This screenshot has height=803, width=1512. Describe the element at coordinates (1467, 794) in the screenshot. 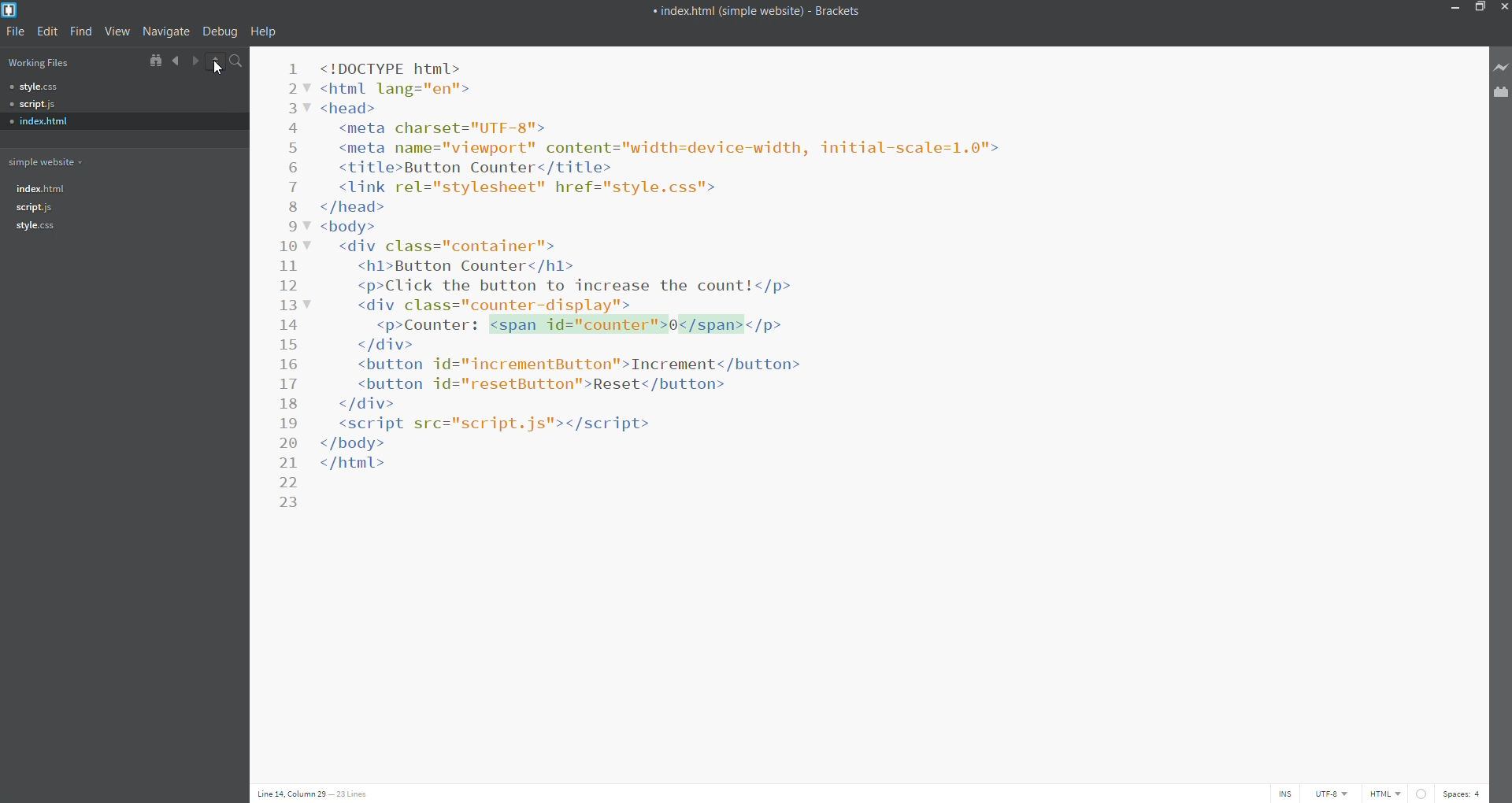

I see `space count` at that location.